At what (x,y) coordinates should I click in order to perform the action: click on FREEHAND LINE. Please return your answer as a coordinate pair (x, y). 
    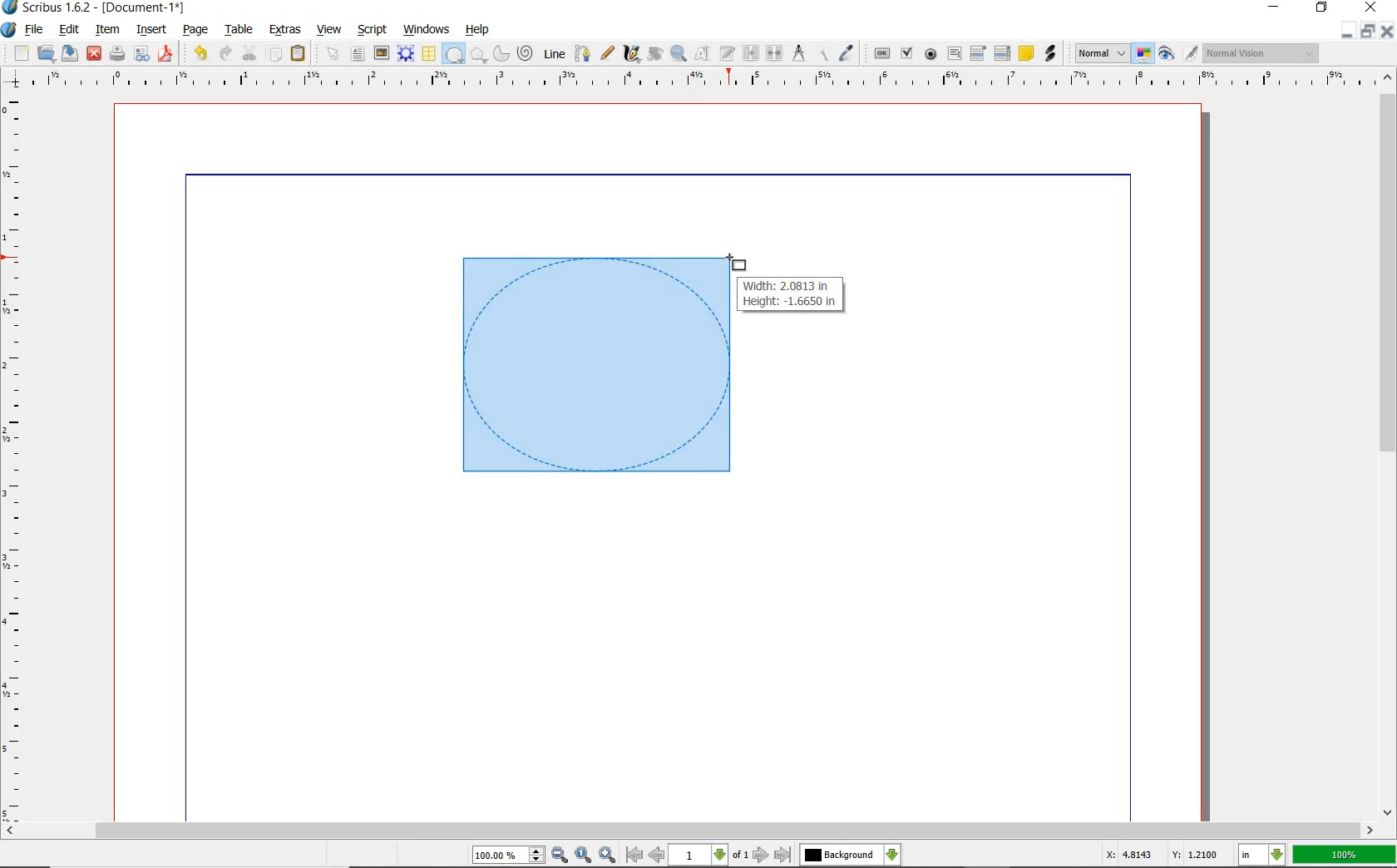
    Looking at the image, I should click on (608, 52).